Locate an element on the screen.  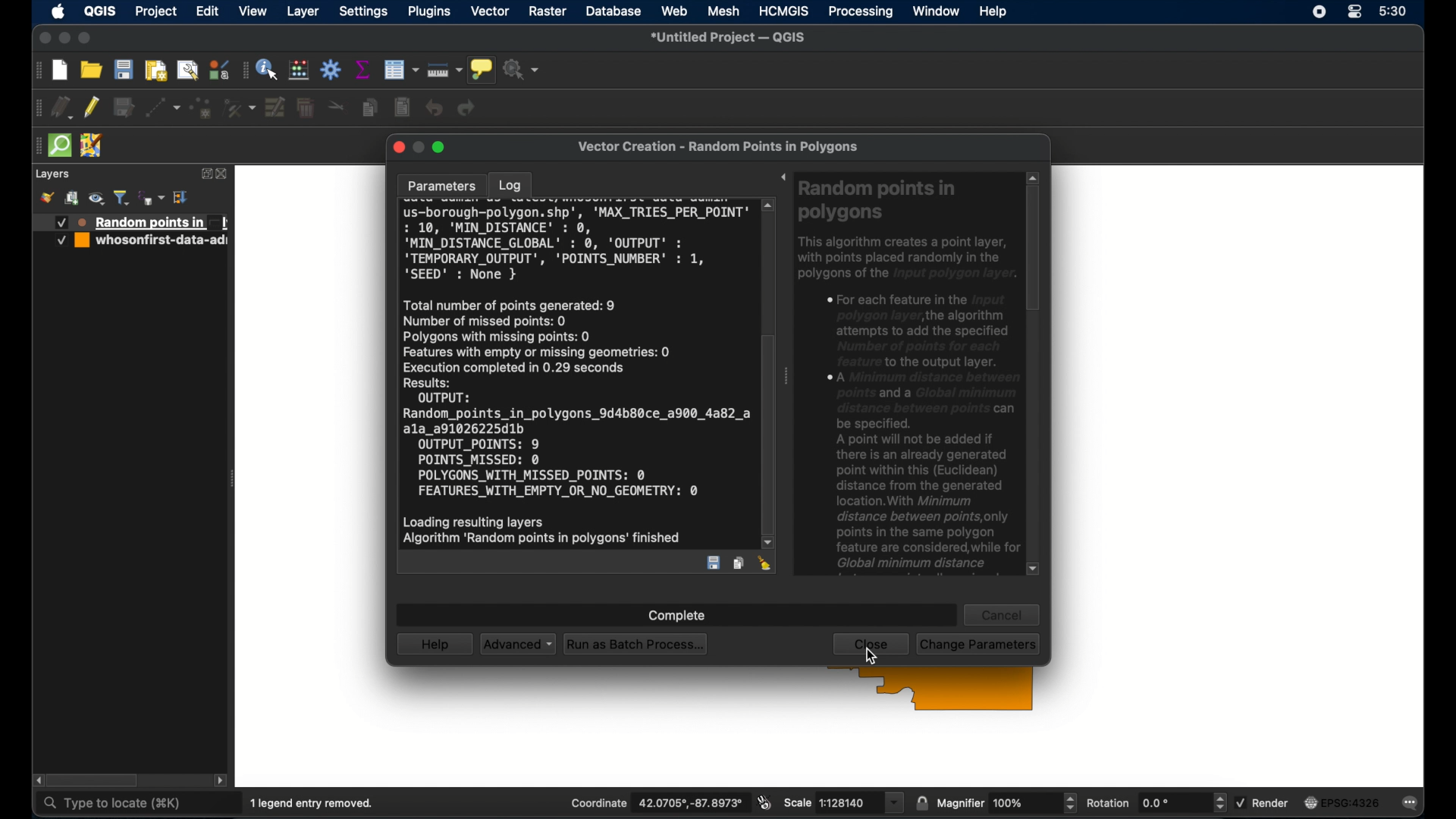
scroll right arrow is located at coordinates (223, 781).